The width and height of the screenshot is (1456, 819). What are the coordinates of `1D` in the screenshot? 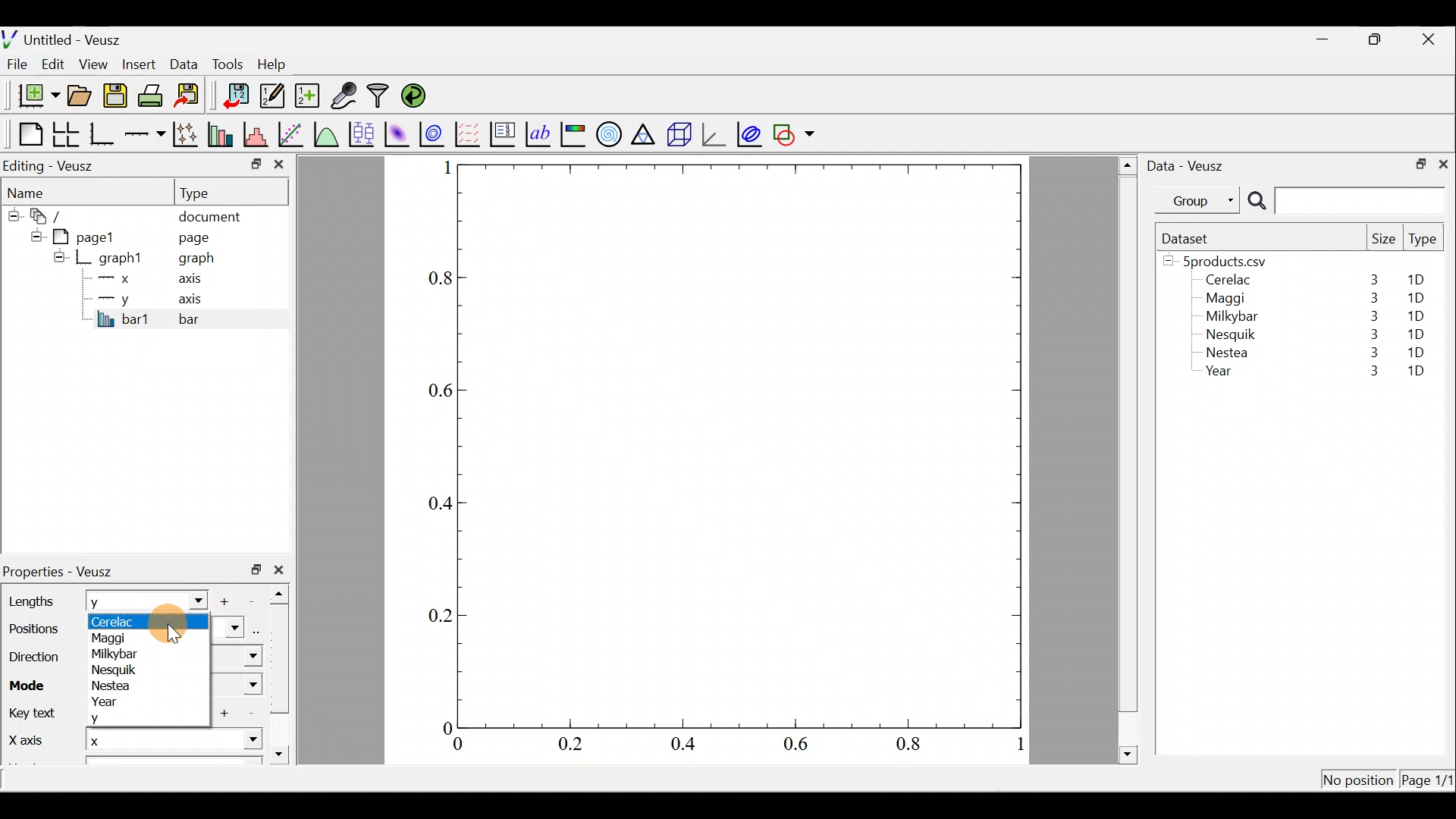 It's located at (1415, 298).